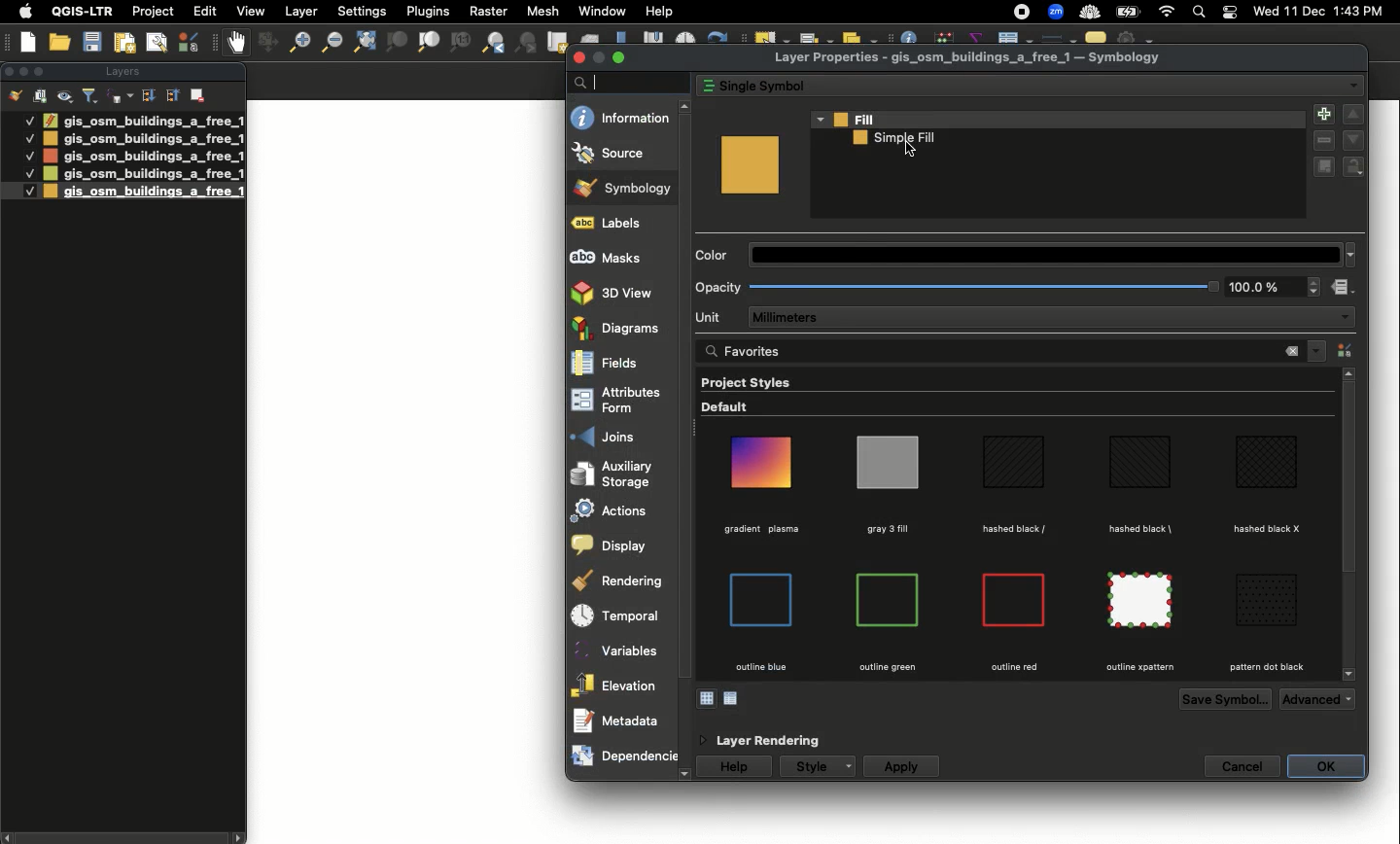 The width and height of the screenshot is (1400, 844). Describe the element at coordinates (29, 42) in the screenshot. I see `New` at that location.